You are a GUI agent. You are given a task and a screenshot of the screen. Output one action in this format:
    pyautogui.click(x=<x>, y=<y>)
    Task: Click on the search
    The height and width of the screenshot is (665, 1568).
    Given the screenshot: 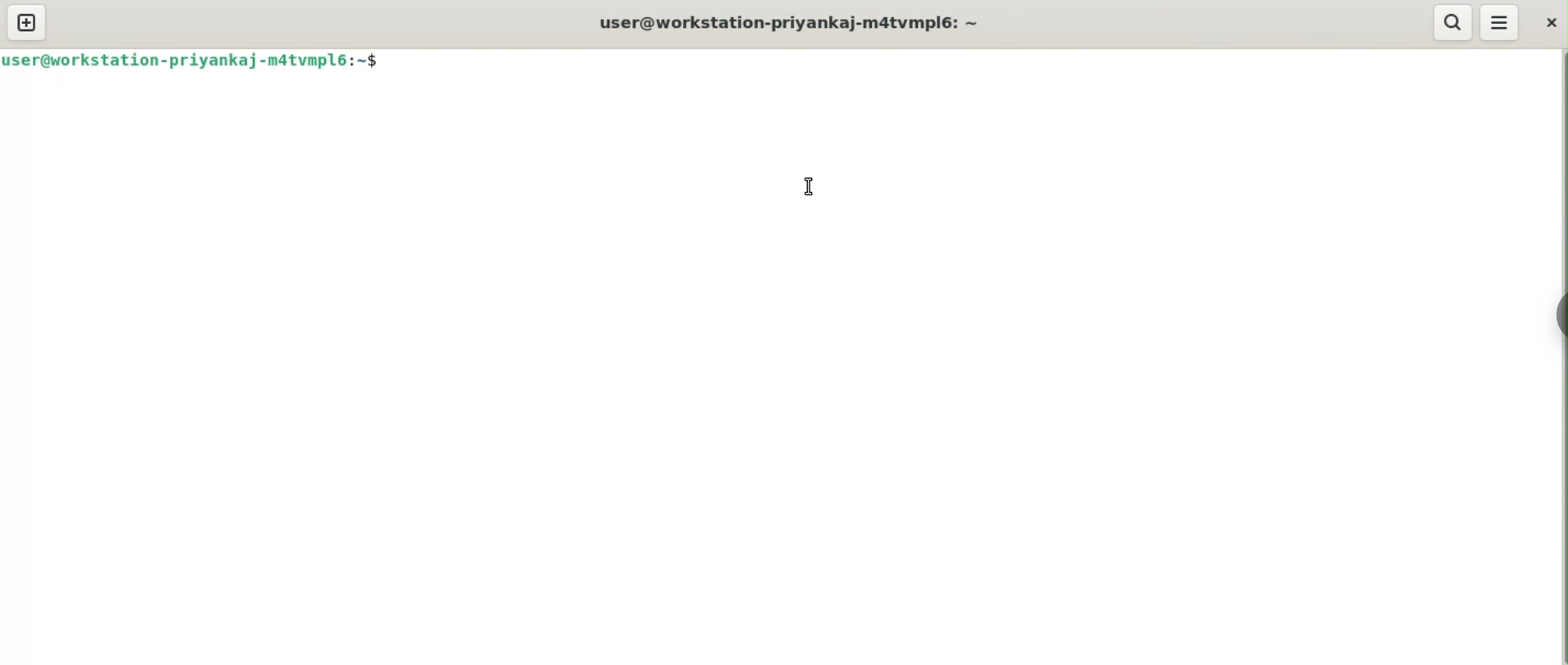 What is the action you would take?
    pyautogui.click(x=1454, y=21)
    